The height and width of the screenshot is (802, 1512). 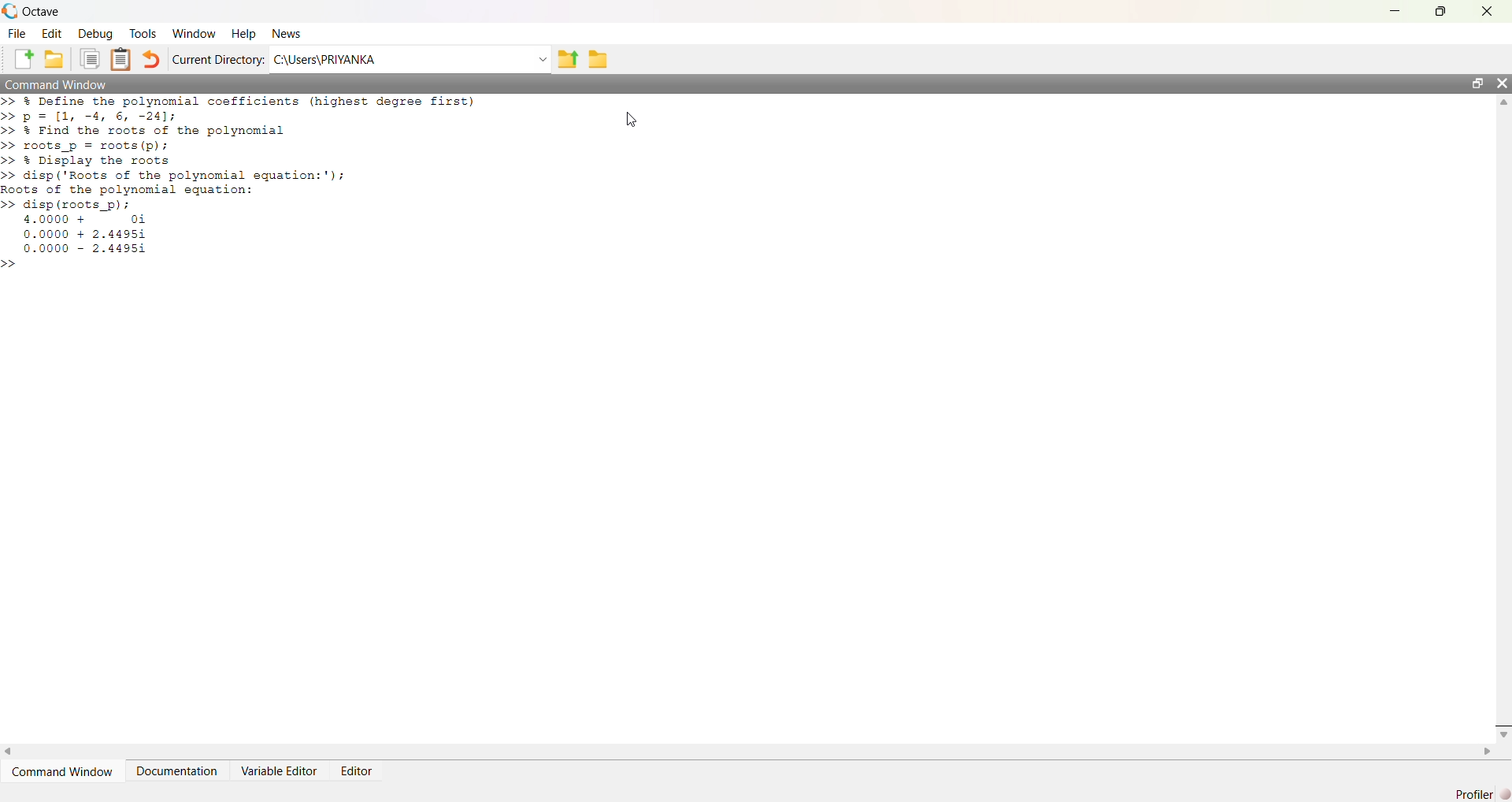 I want to click on Help, so click(x=243, y=35).